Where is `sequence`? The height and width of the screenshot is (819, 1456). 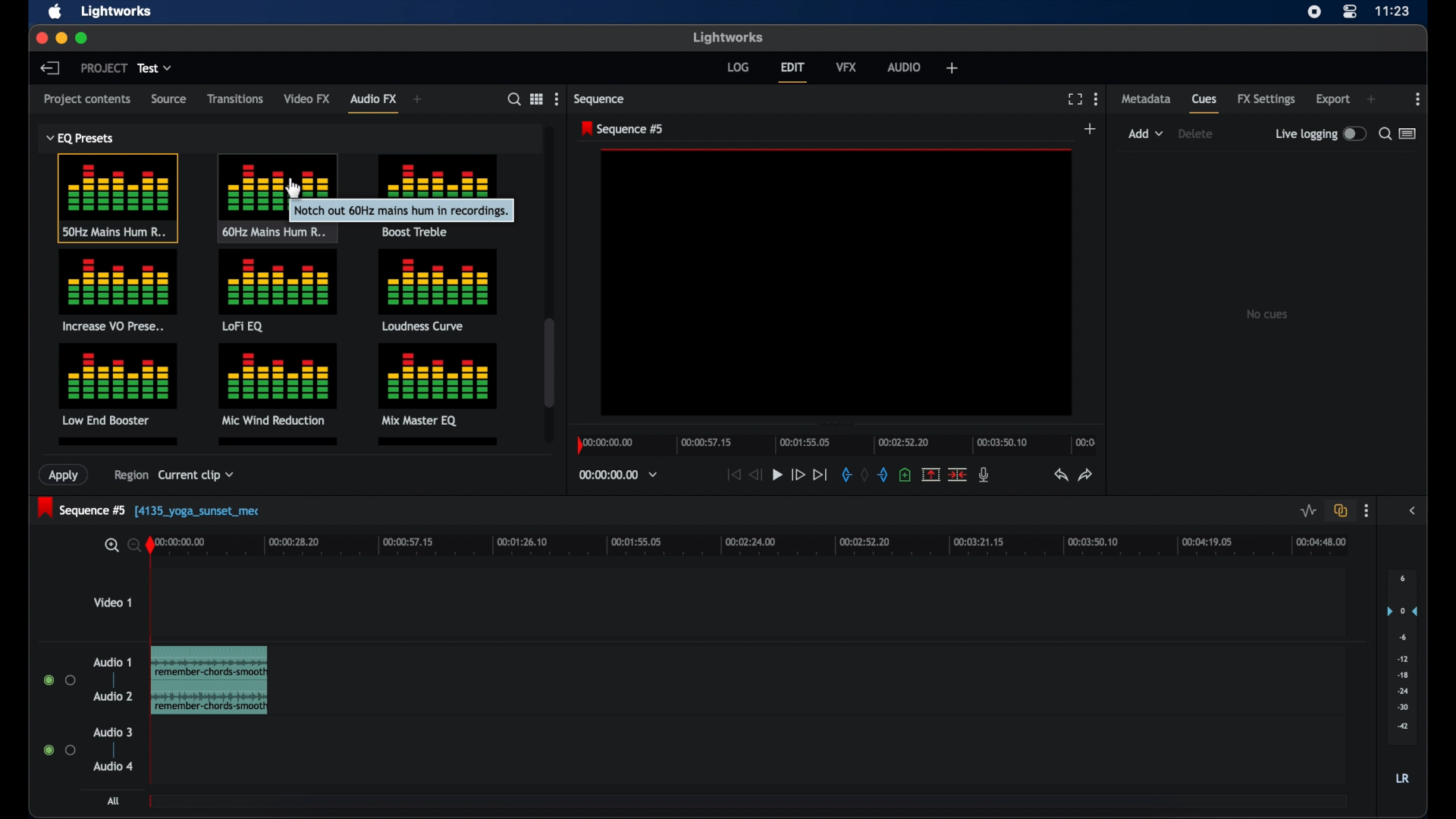
sequence is located at coordinates (599, 99).